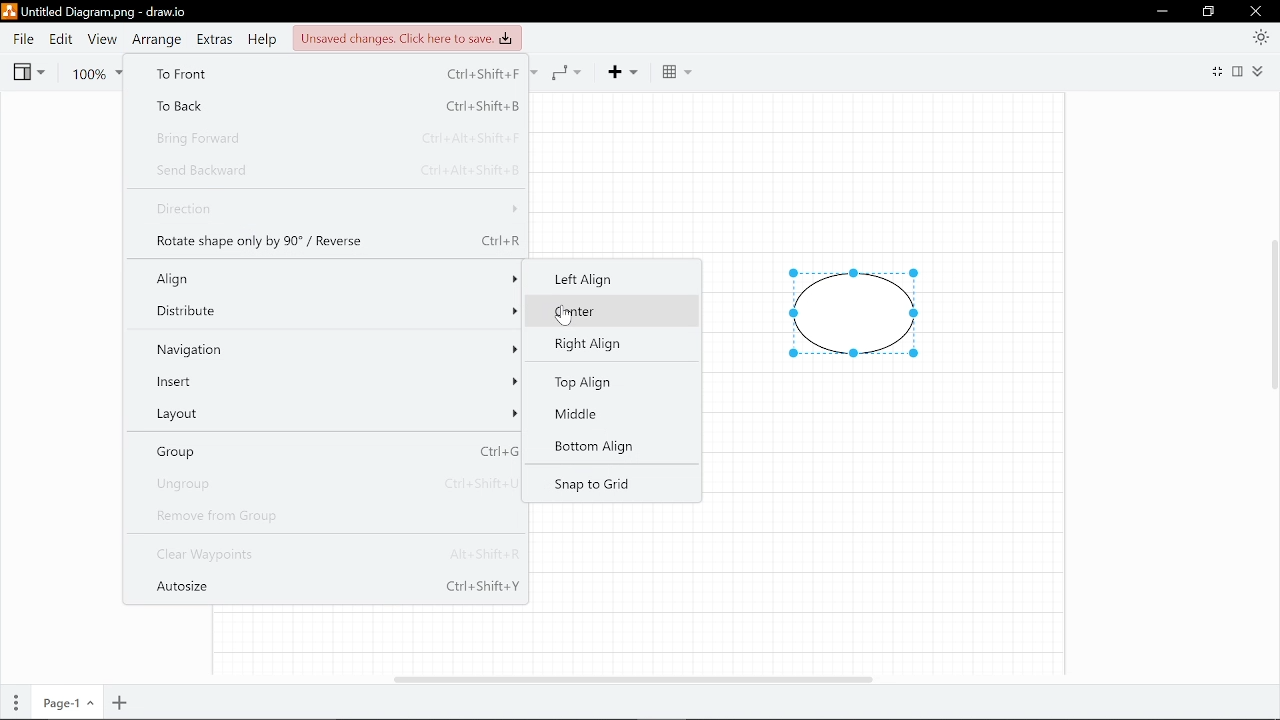 The height and width of the screenshot is (720, 1280). I want to click on Add, so click(630, 71).